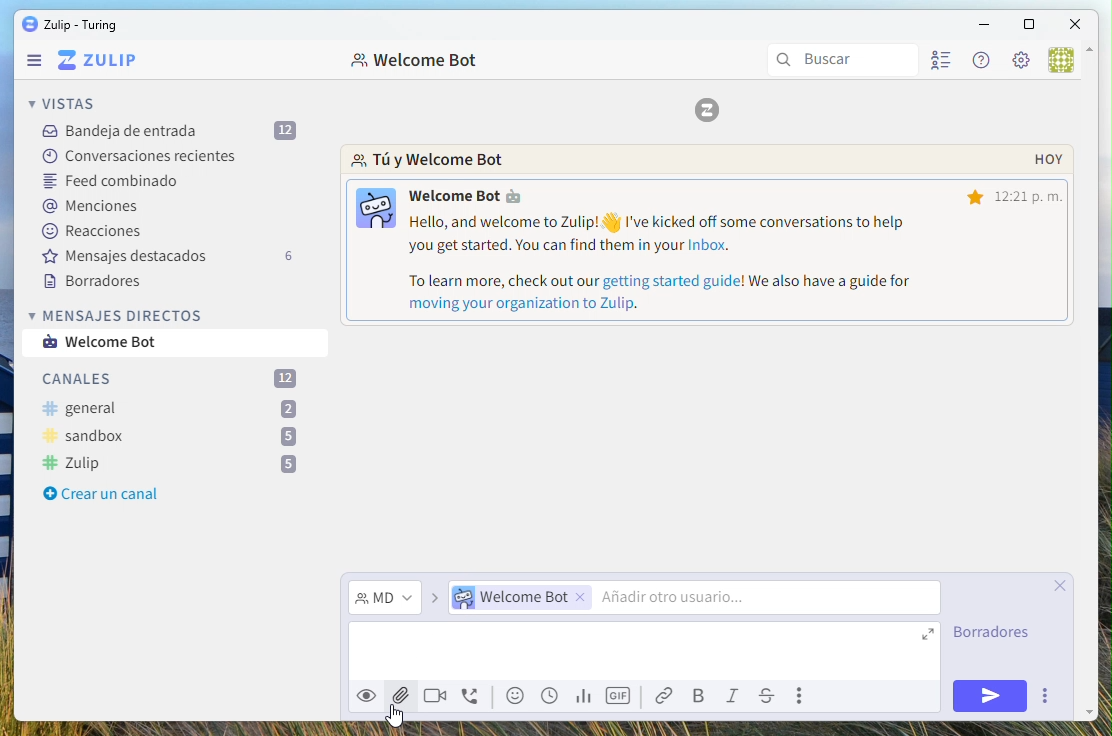  What do you see at coordinates (399, 694) in the screenshot?
I see `attachment` at bounding box center [399, 694].